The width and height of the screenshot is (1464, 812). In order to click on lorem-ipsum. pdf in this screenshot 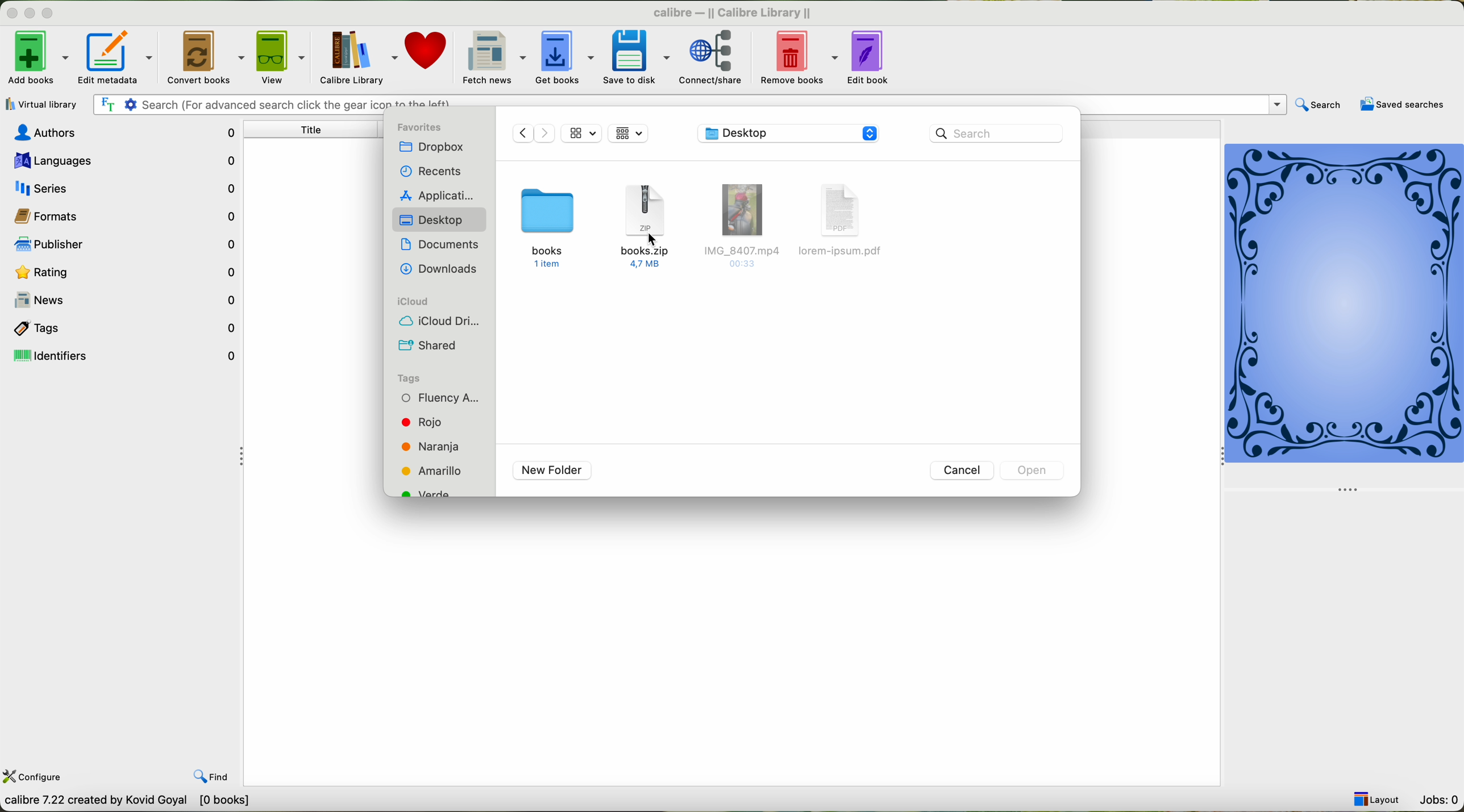, I will do `click(845, 225)`.